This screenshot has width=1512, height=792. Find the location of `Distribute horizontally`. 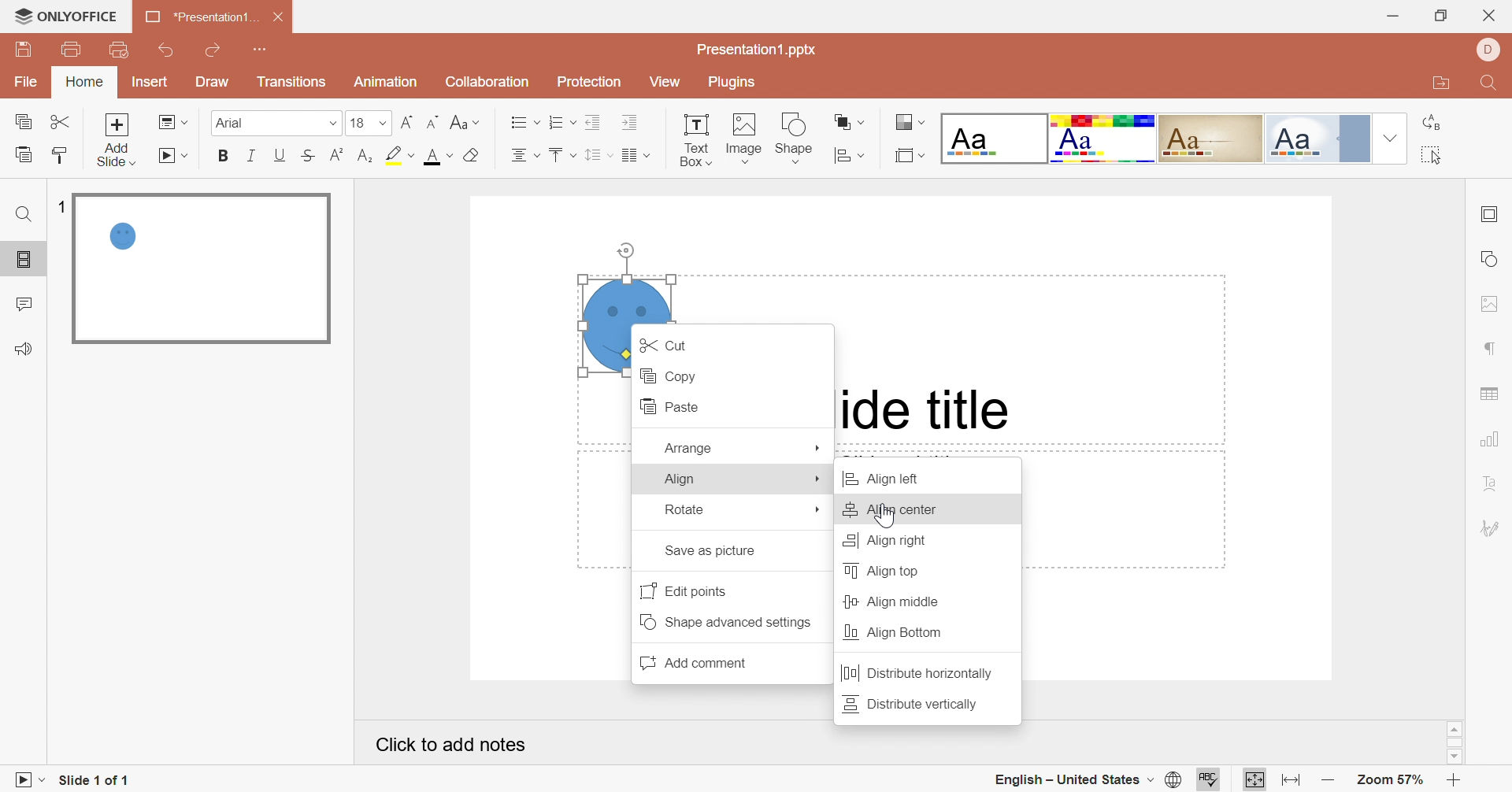

Distribute horizontally is located at coordinates (919, 673).